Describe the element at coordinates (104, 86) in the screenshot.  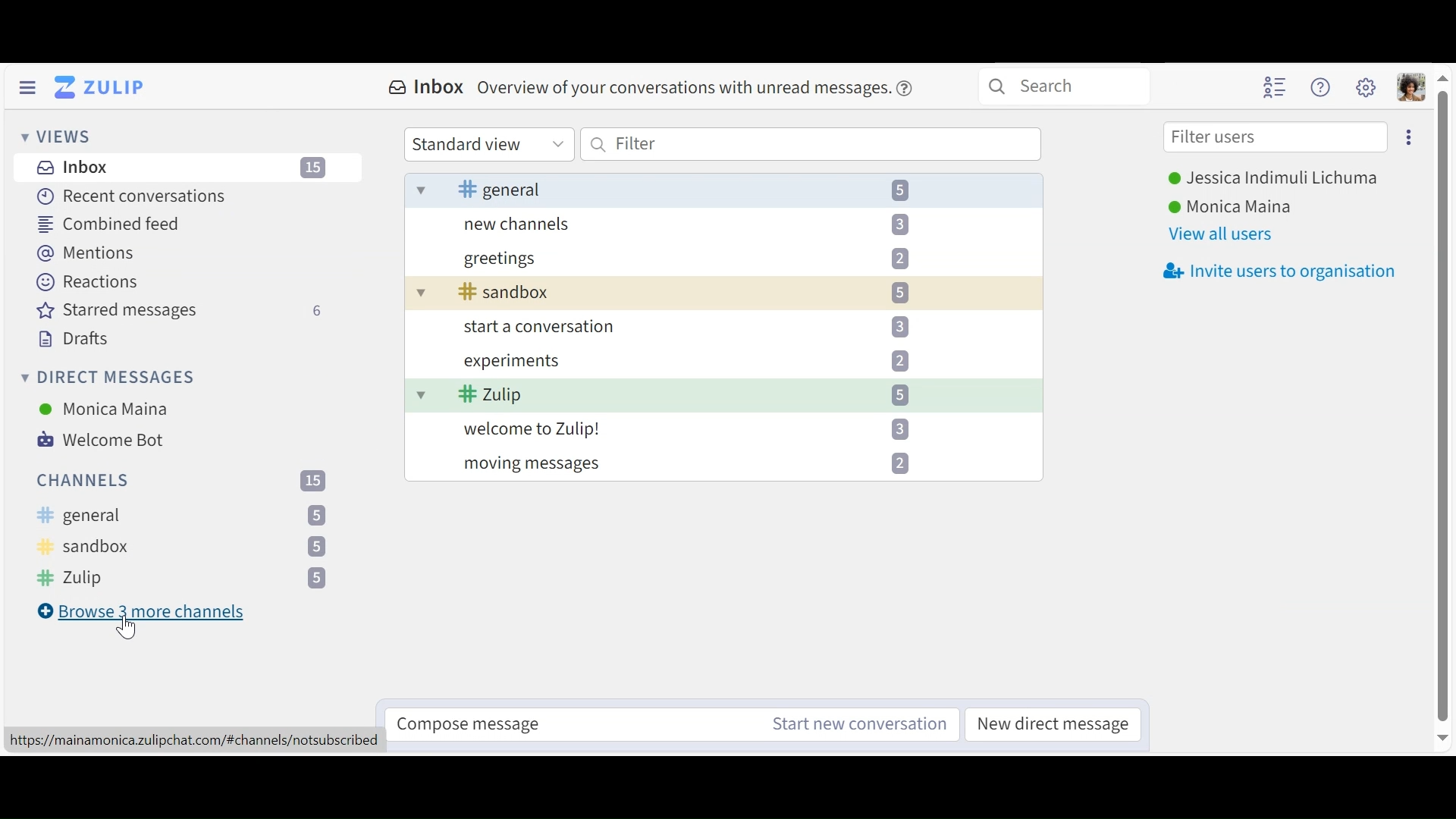
I see `Go to Home View` at that location.